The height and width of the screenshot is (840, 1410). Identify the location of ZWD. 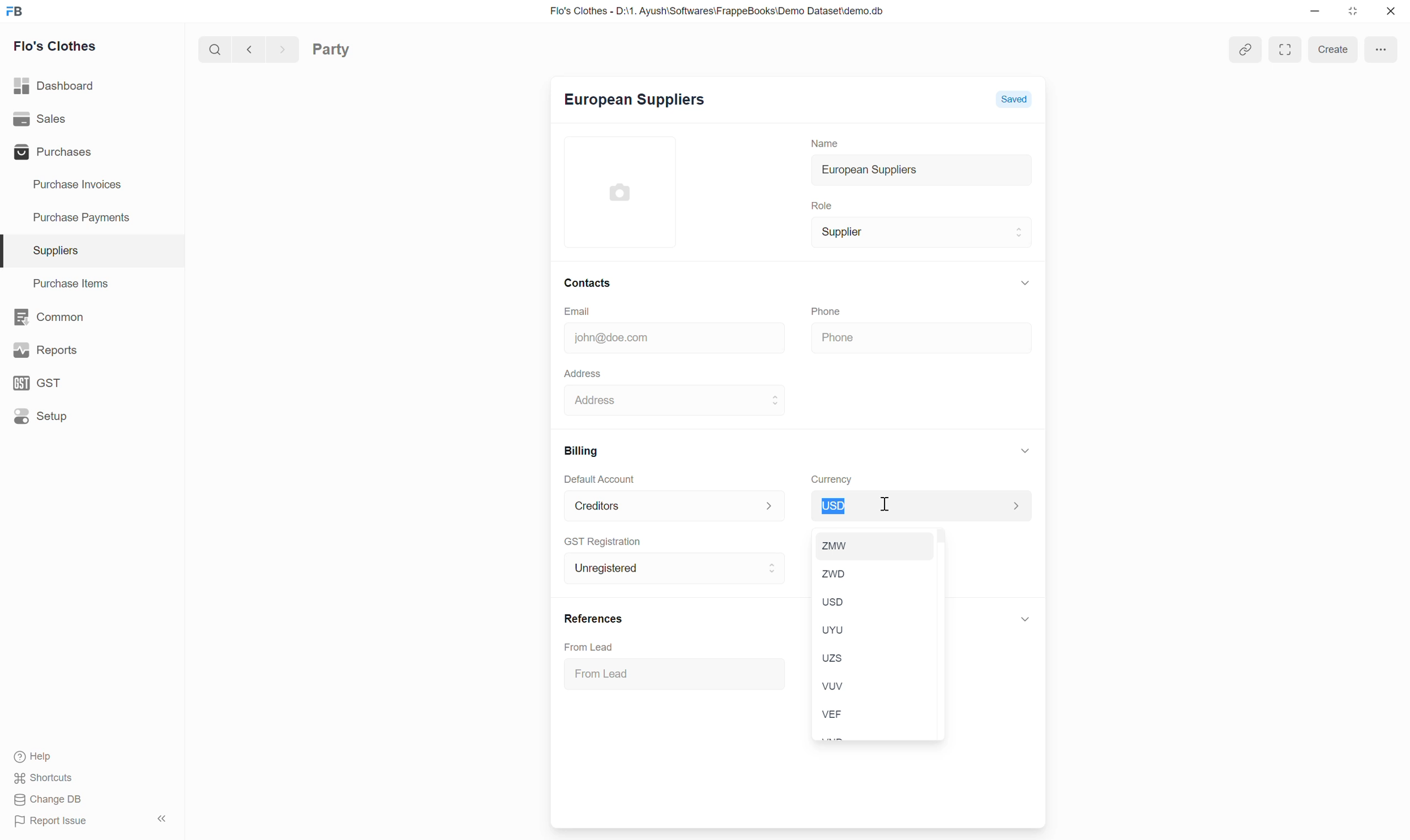
(839, 574).